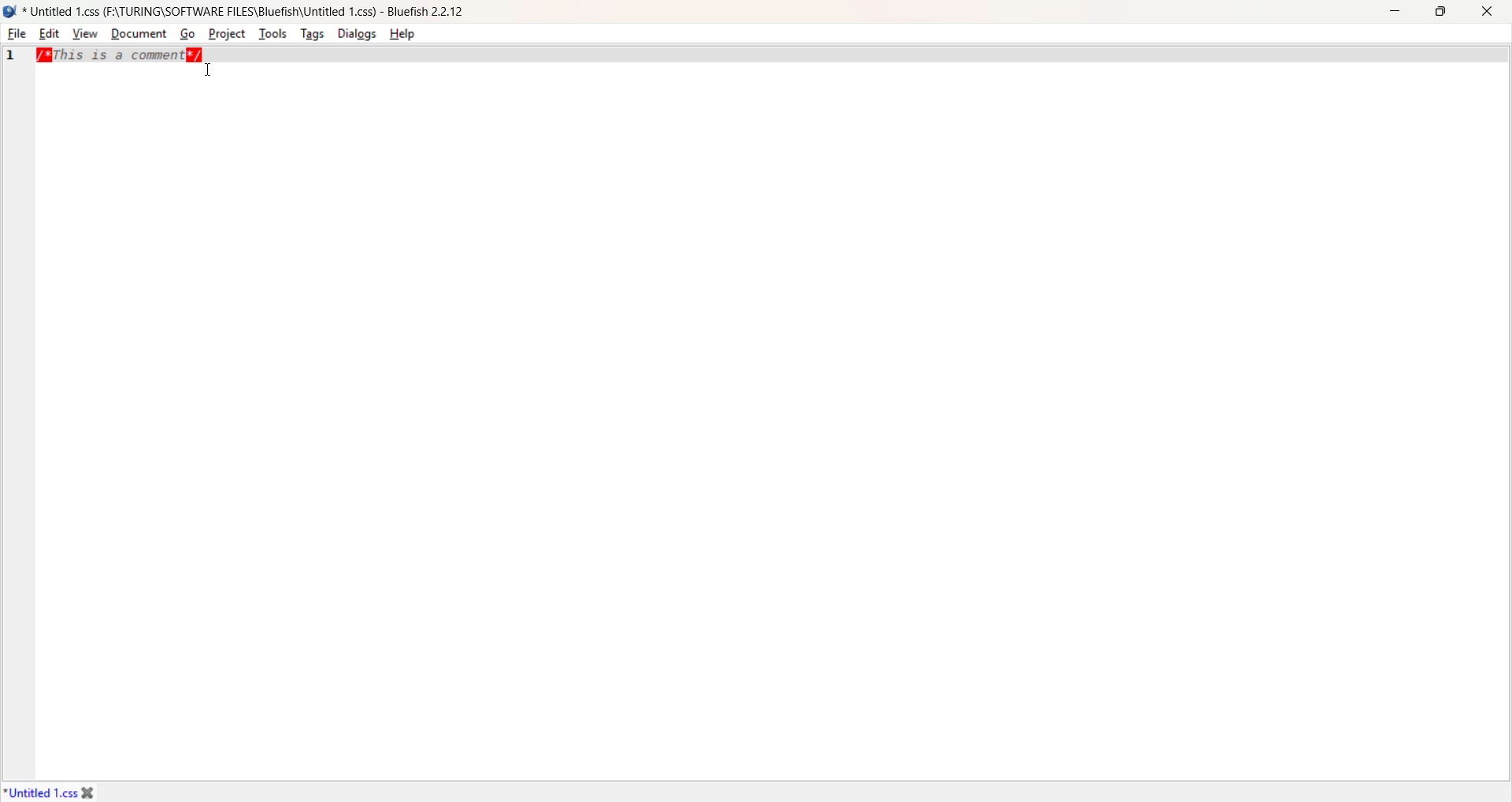 The width and height of the screenshot is (1512, 802). I want to click on Edit, so click(47, 33).